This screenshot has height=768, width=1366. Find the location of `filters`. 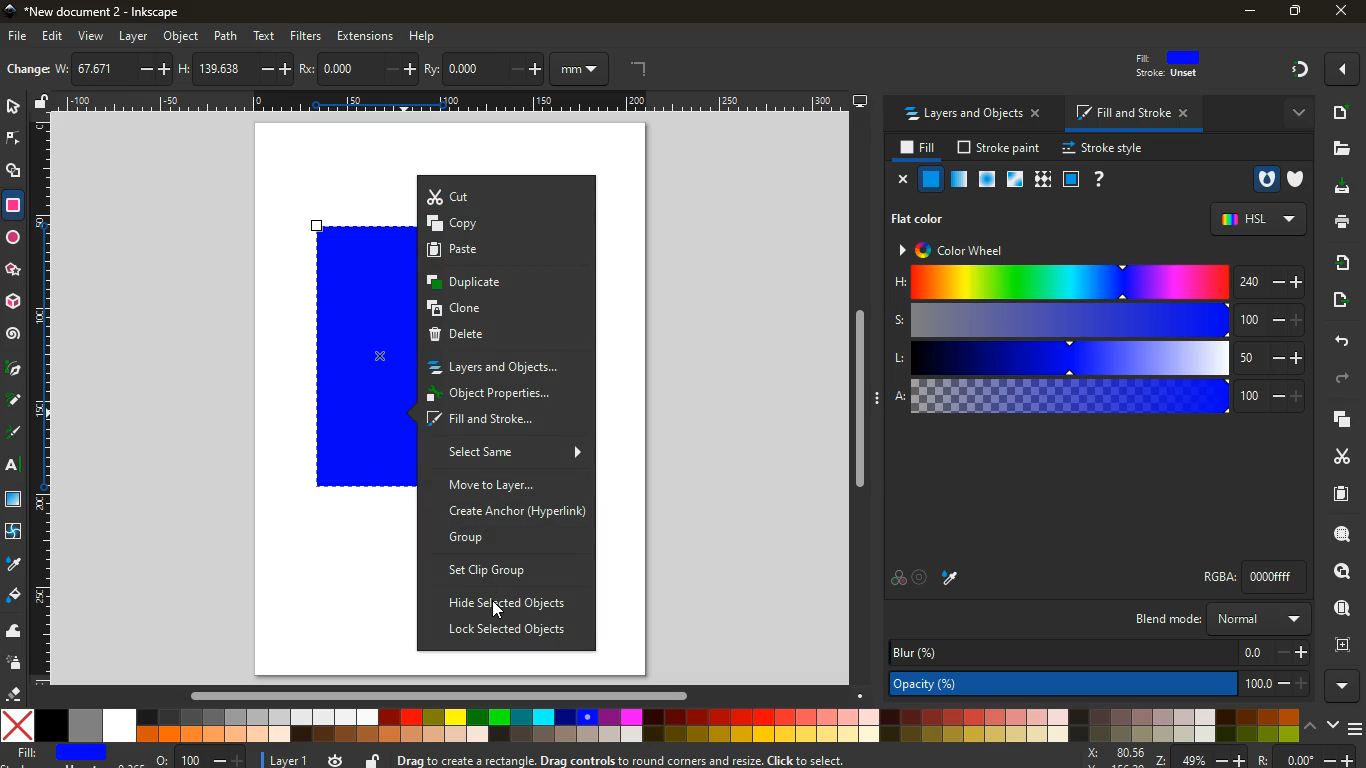

filters is located at coordinates (306, 37).